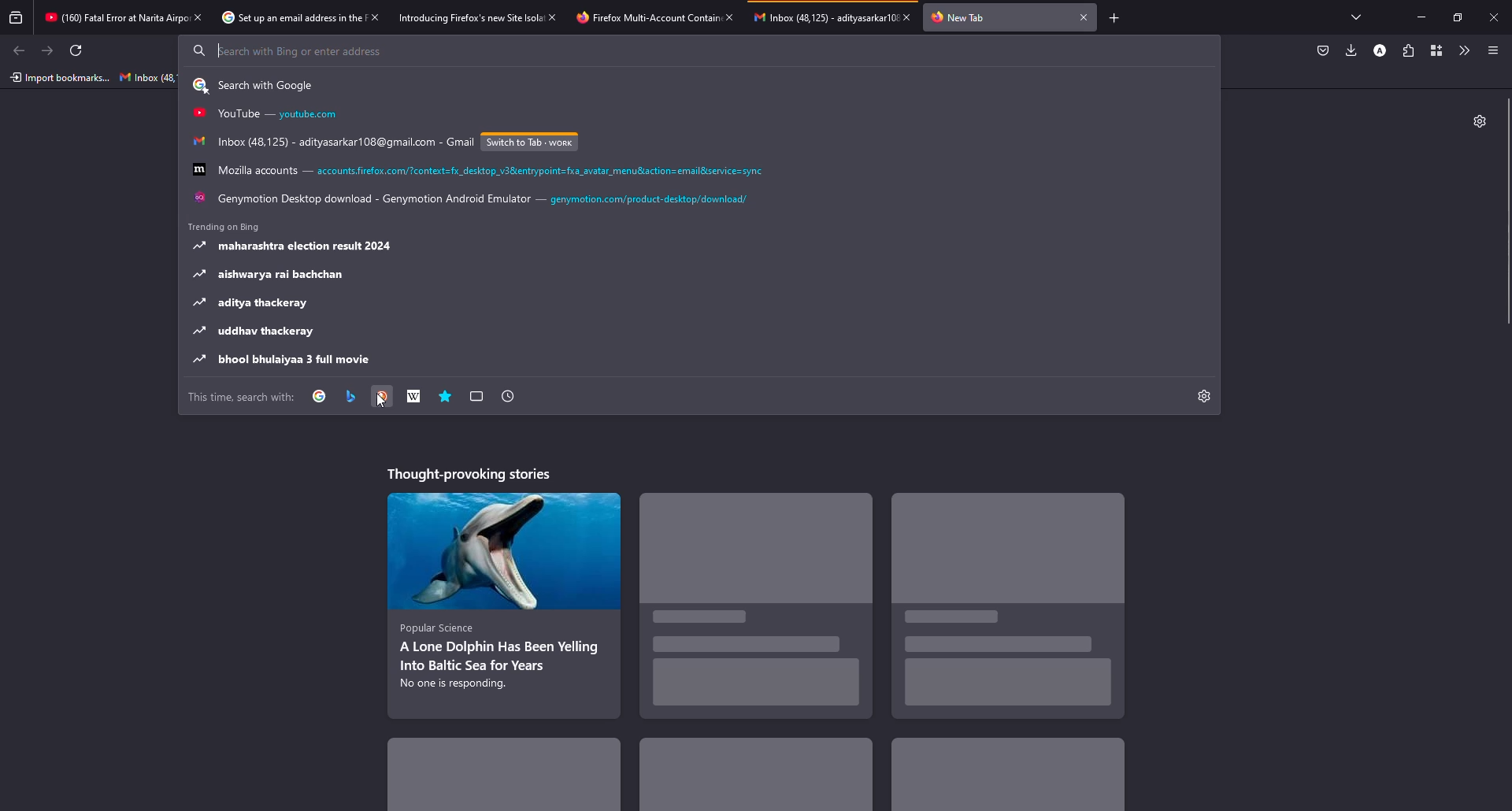  What do you see at coordinates (148, 77) in the screenshot?
I see `inbox` at bounding box center [148, 77].